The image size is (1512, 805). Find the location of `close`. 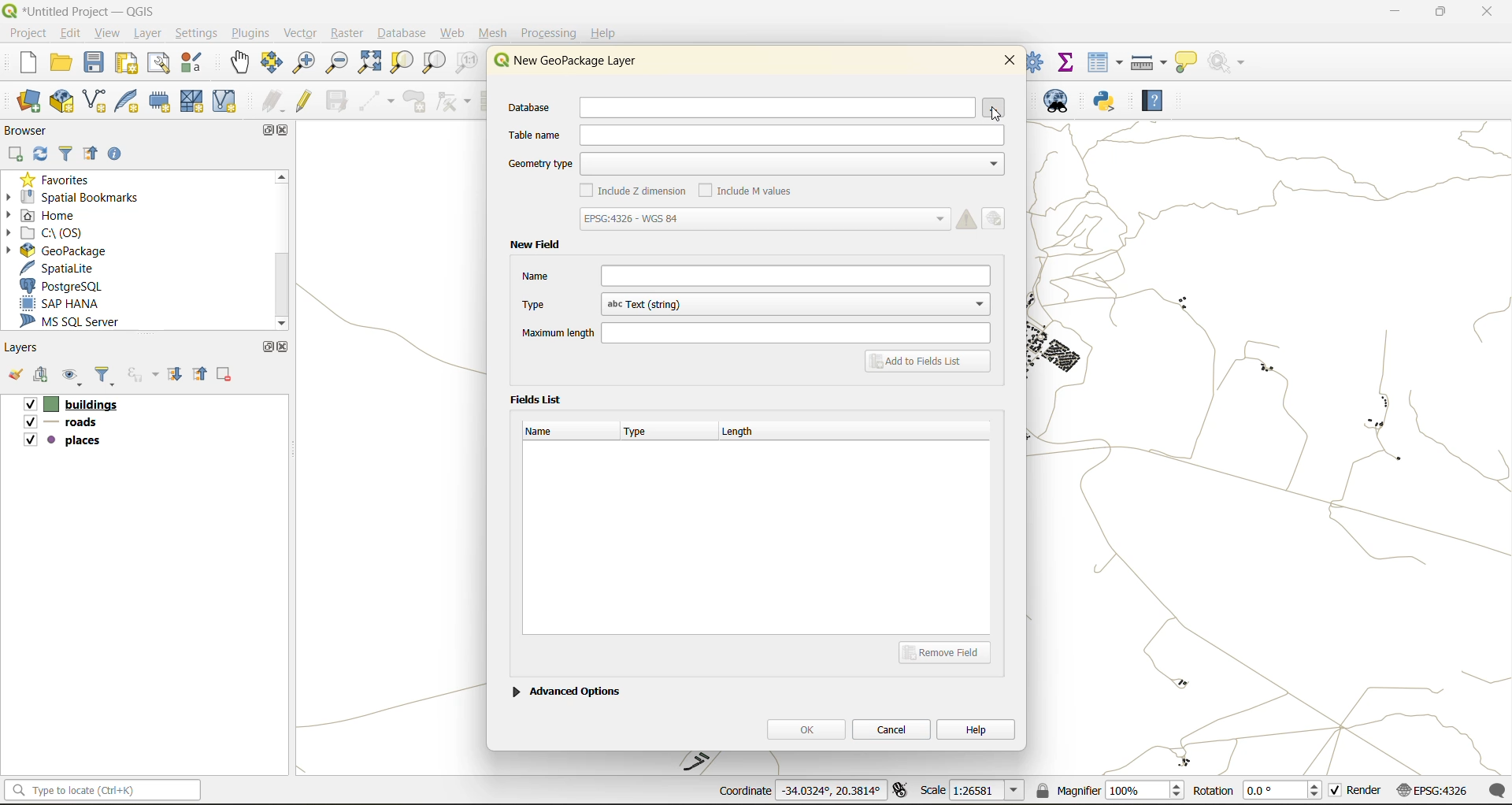

close is located at coordinates (286, 132).